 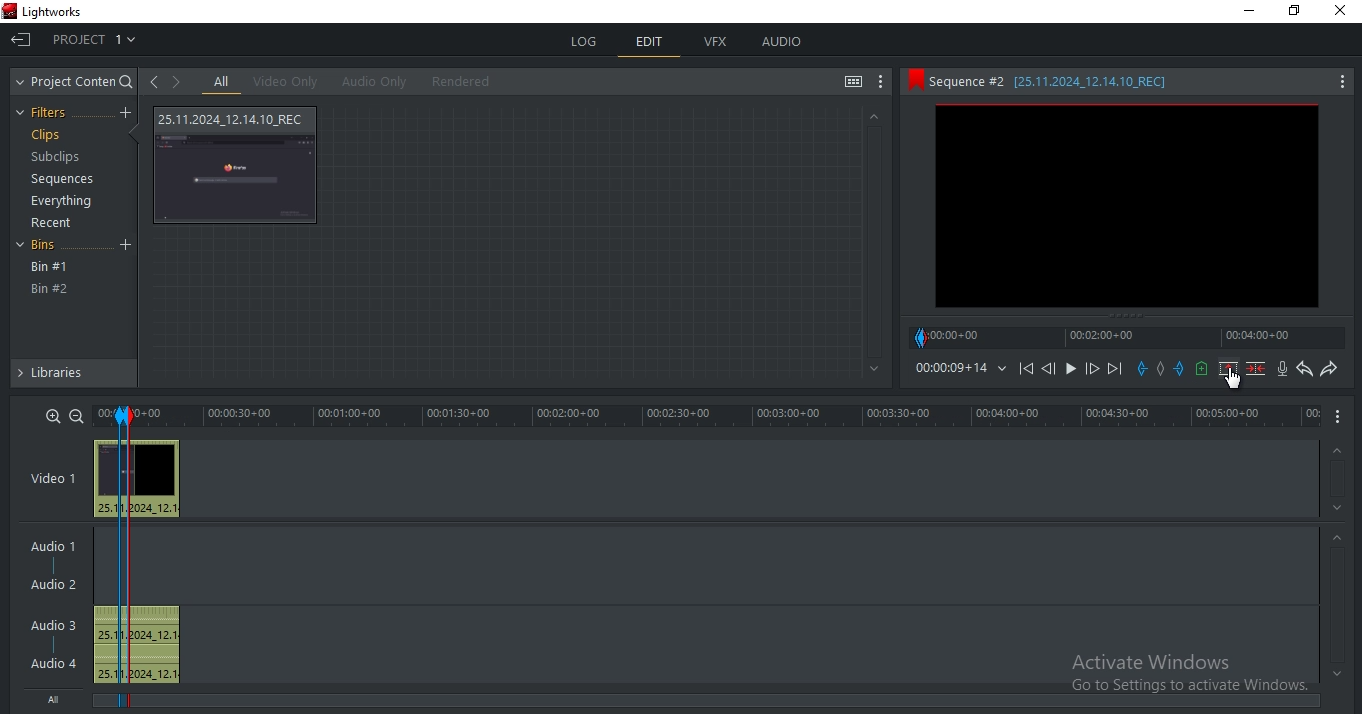 What do you see at coordinates (1334, 674) in the screenshot?
I see `Bottom` at bounding box center [1334, 674].